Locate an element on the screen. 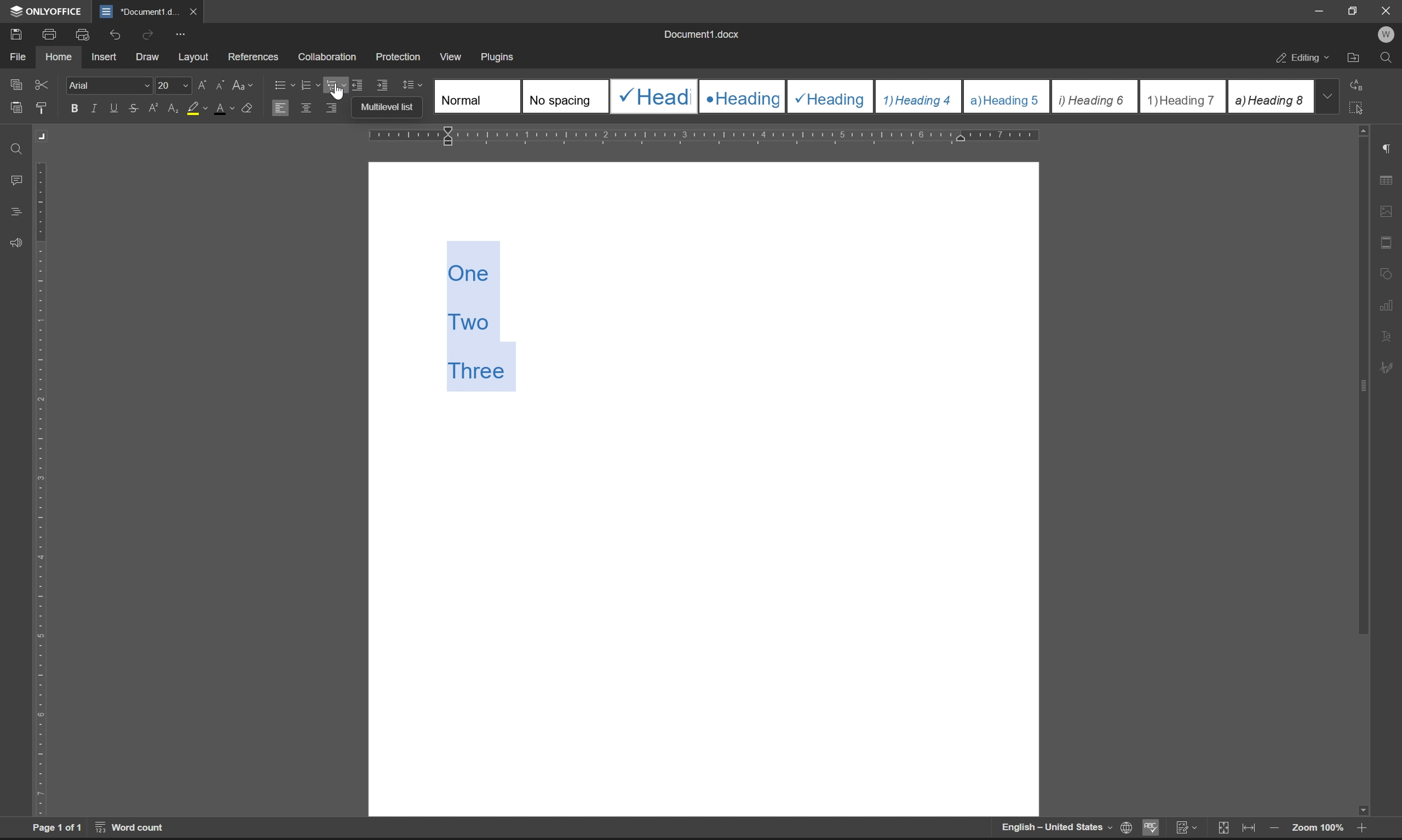 Image resolution: width=1402 pixels, height=840 pixels. numbering is located at coordinates (310, 85).